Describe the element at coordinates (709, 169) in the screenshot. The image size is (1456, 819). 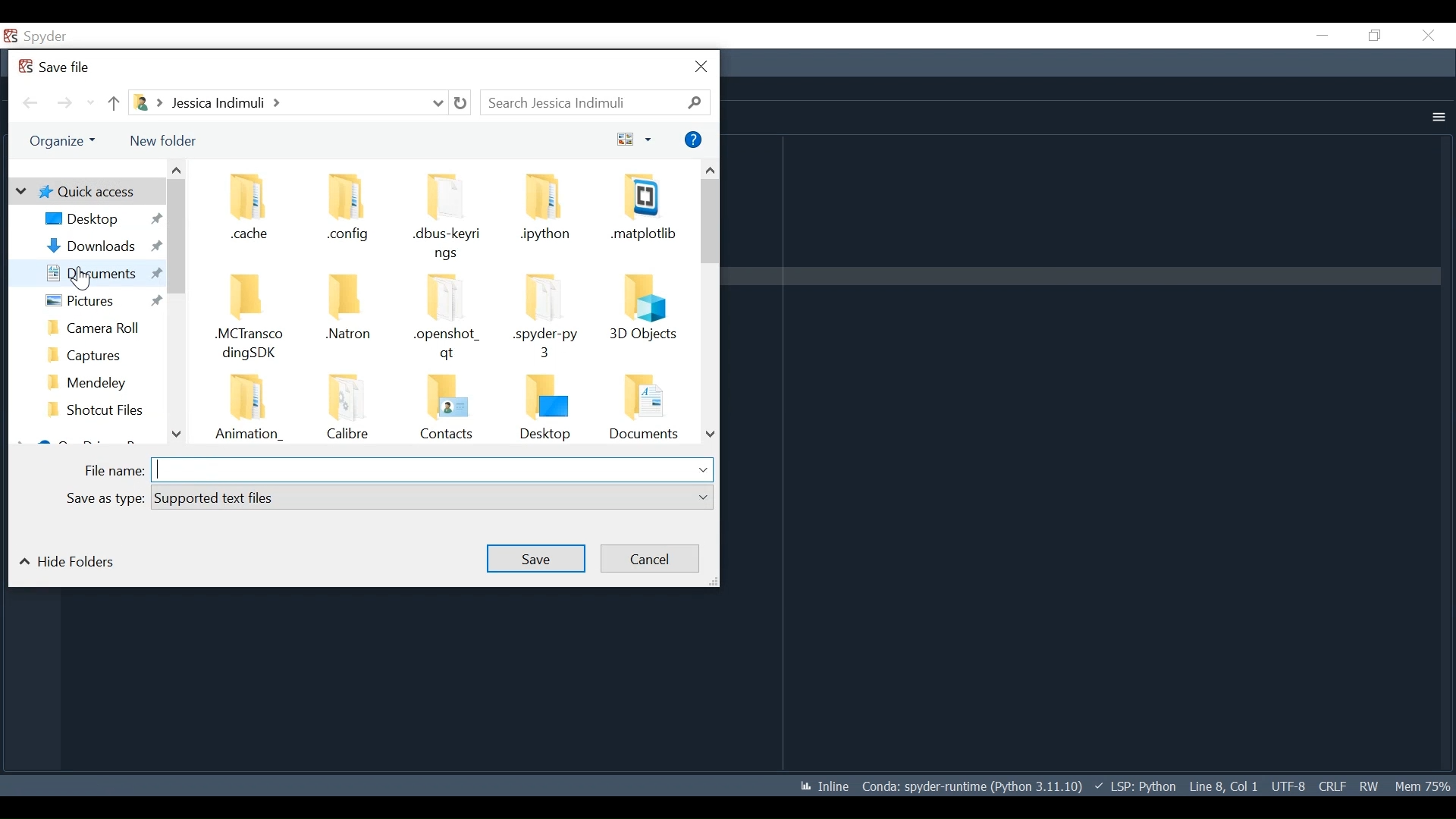
I see `Scroll up` at that location.